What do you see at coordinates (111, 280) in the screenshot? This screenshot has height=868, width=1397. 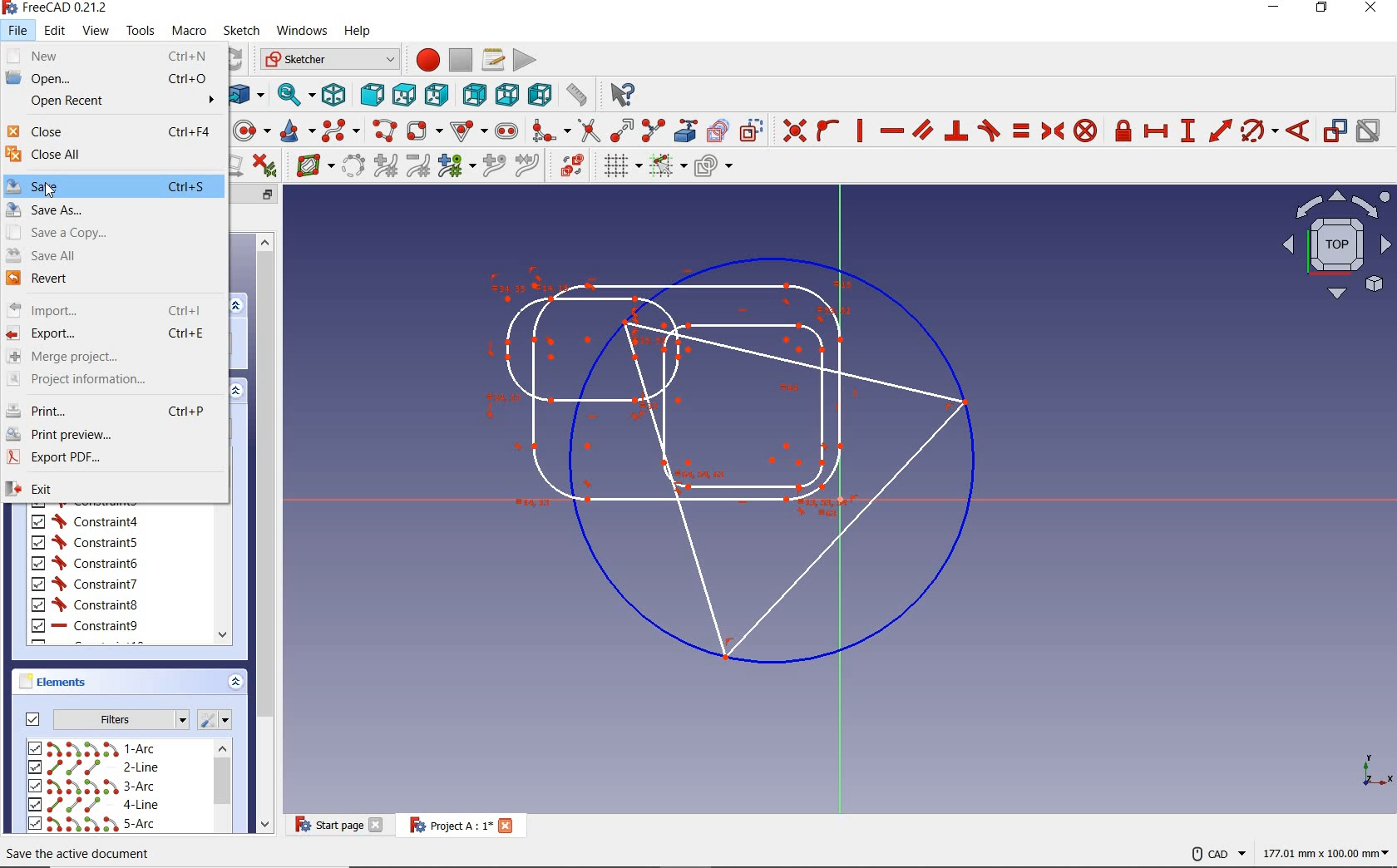 I see `revert` at bounding box center [111, 280].